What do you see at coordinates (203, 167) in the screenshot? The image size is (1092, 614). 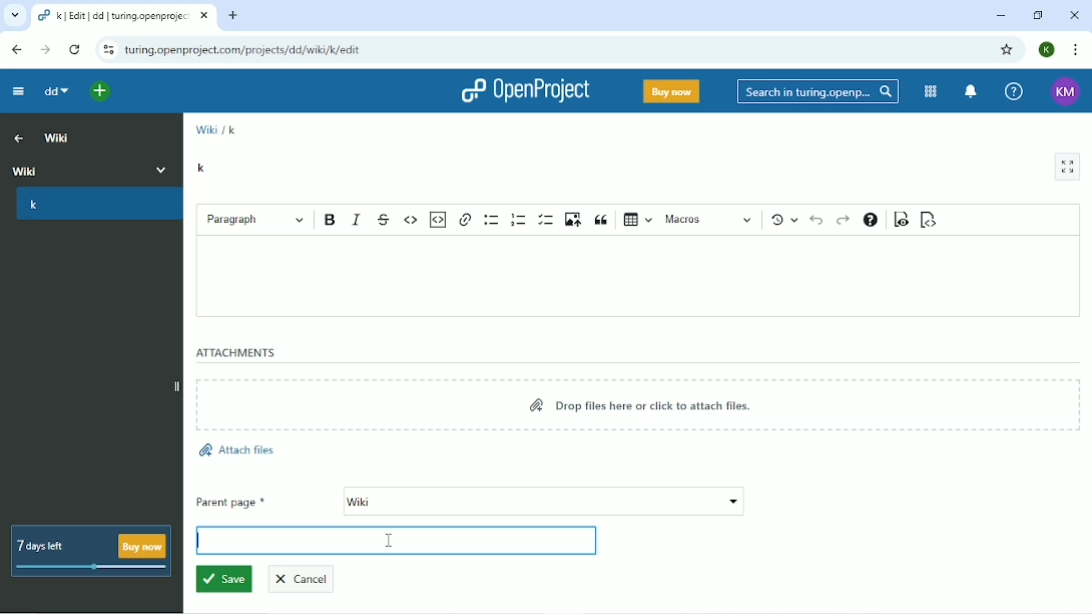 I see `k` at bounding box center [203, 167].